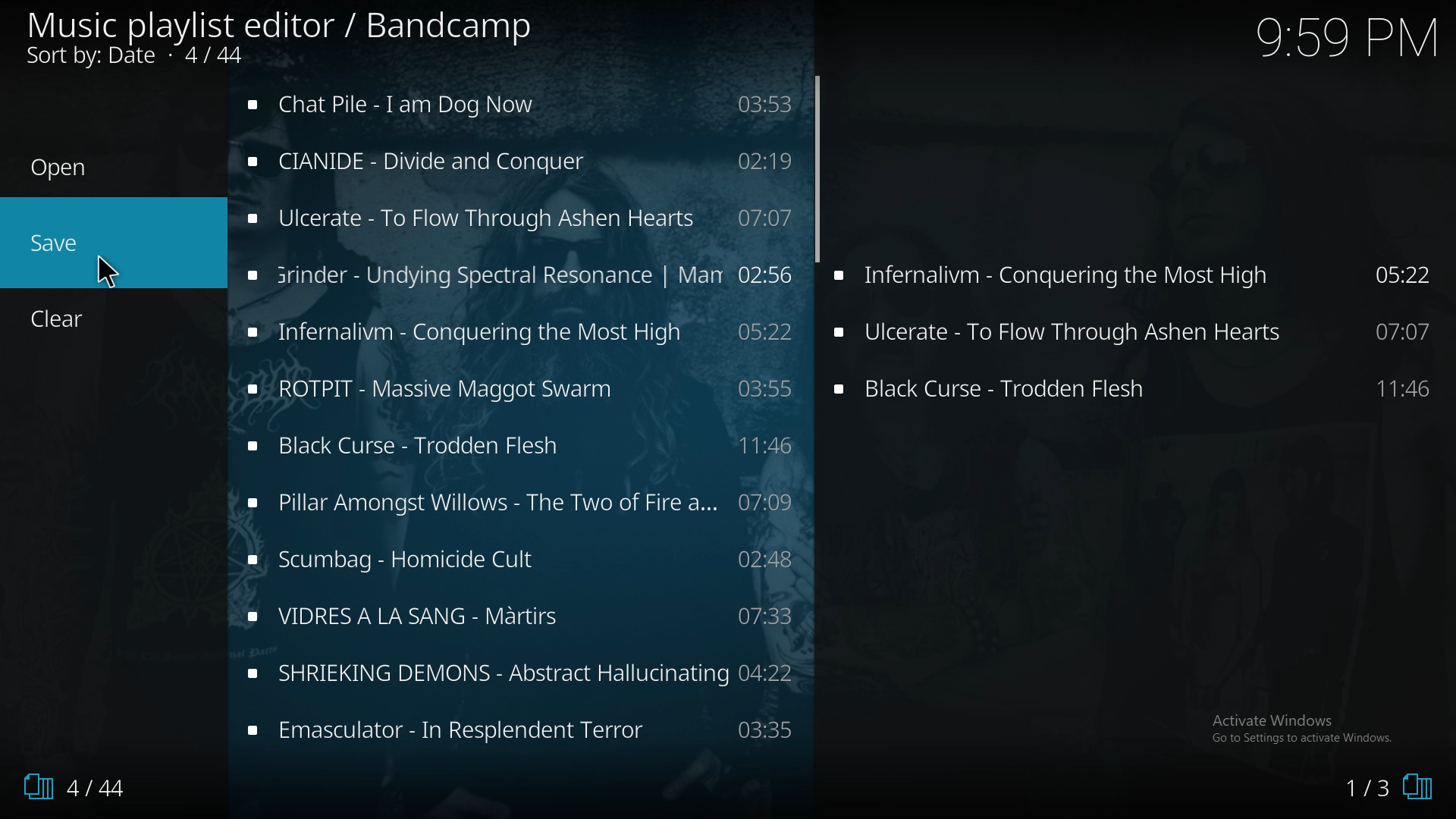 This screenshot has width=1456, height=819. What do you see at coordinates (161, 58) in the screenshot?
I see `Sort by: Date • 5/44` at bounding box center [161, 58].